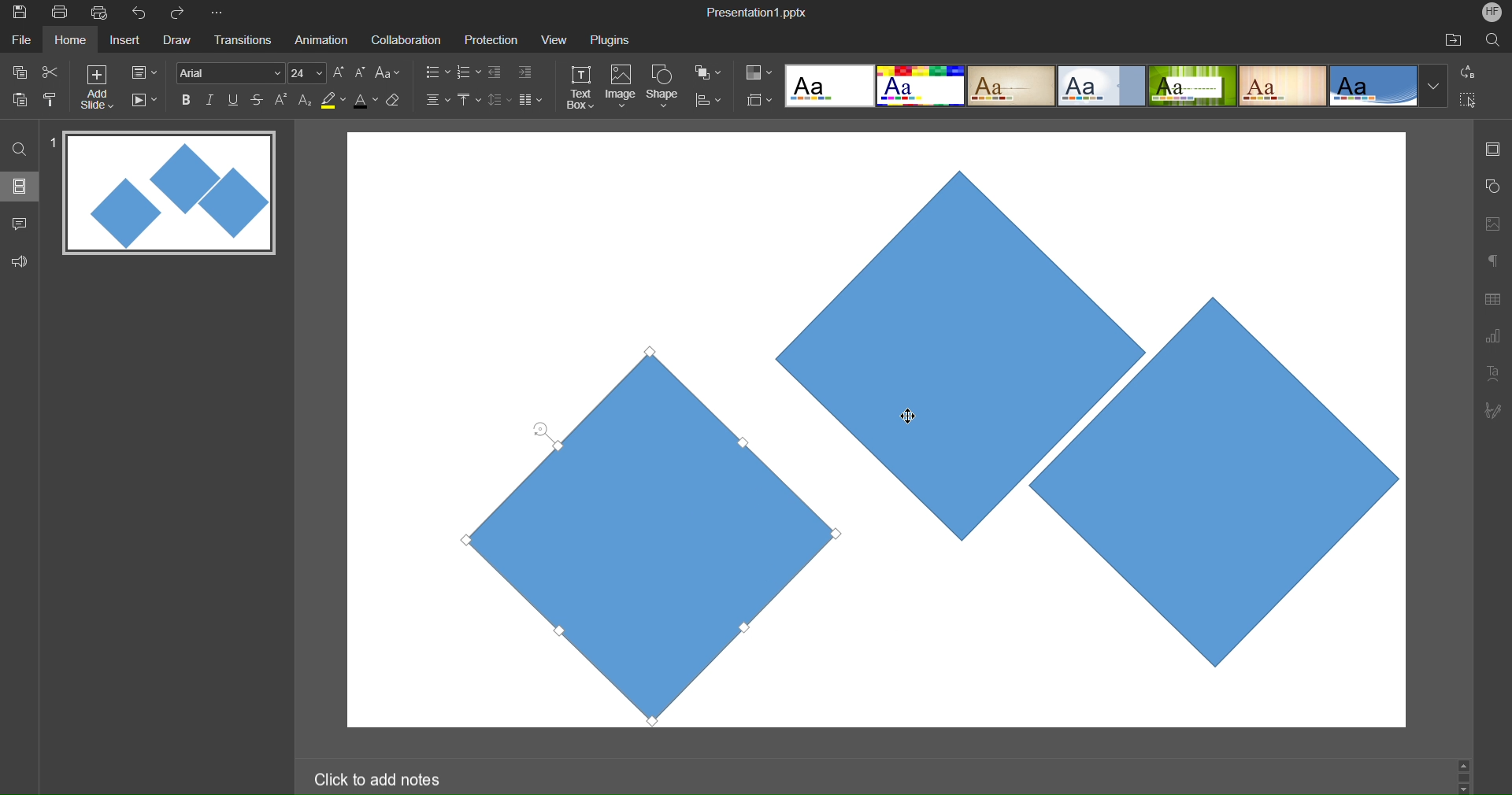  Describe the element at coordinates (403, 40) in the screenshot. I see `Collaboration` at that location.